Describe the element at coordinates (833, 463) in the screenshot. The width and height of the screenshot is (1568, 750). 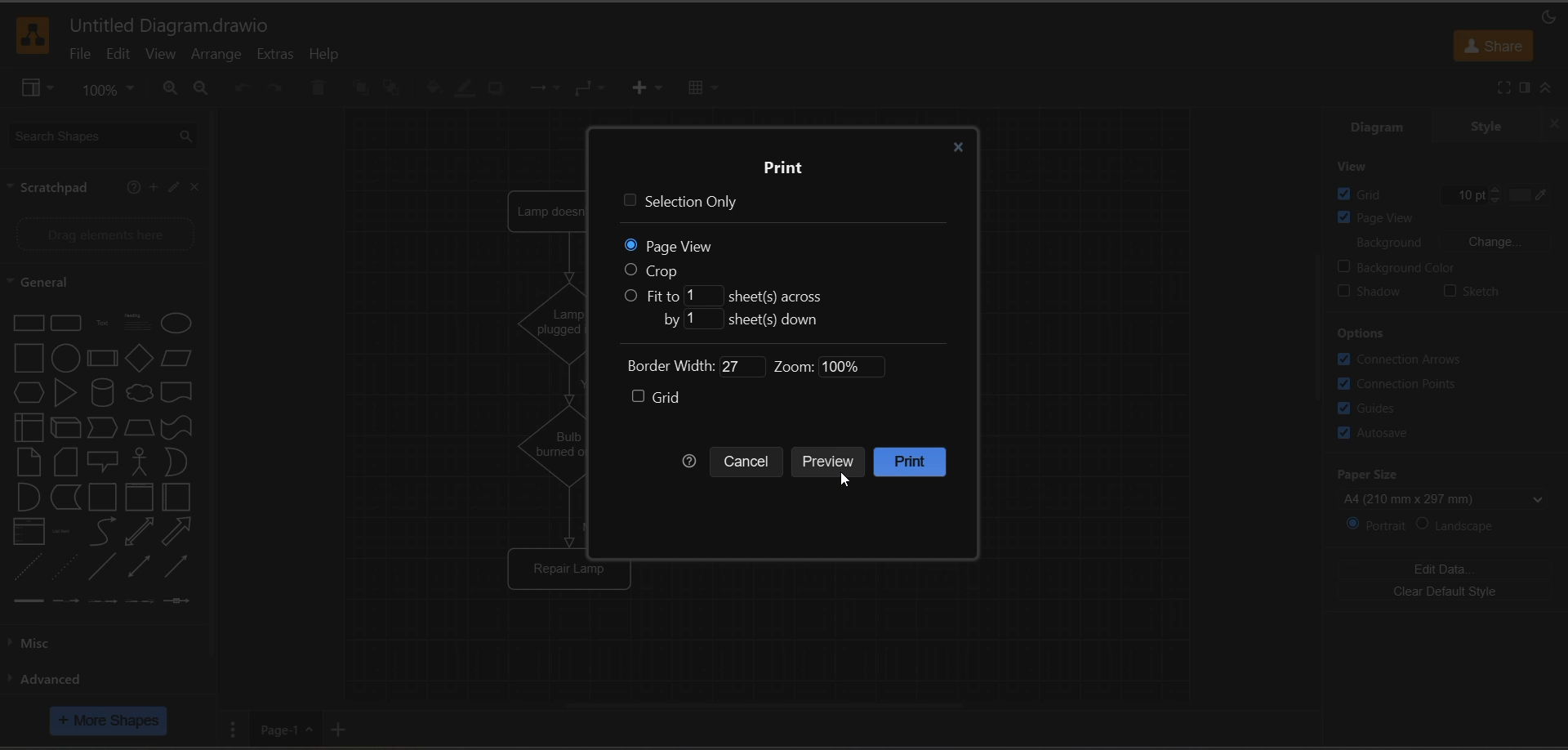
I see `preview` at that location.